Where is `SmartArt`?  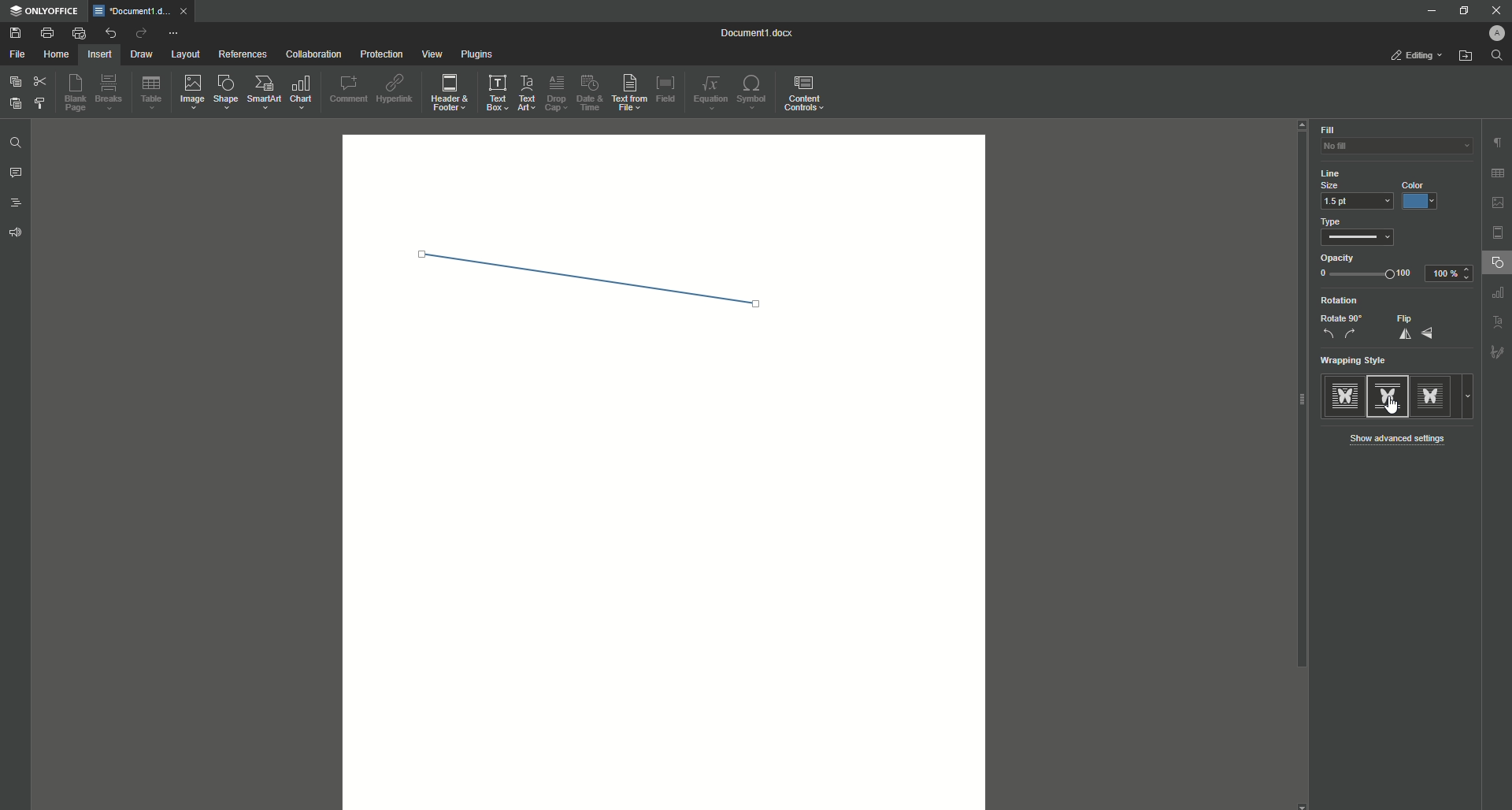 SmartArt is located at coordinates (265, 93).